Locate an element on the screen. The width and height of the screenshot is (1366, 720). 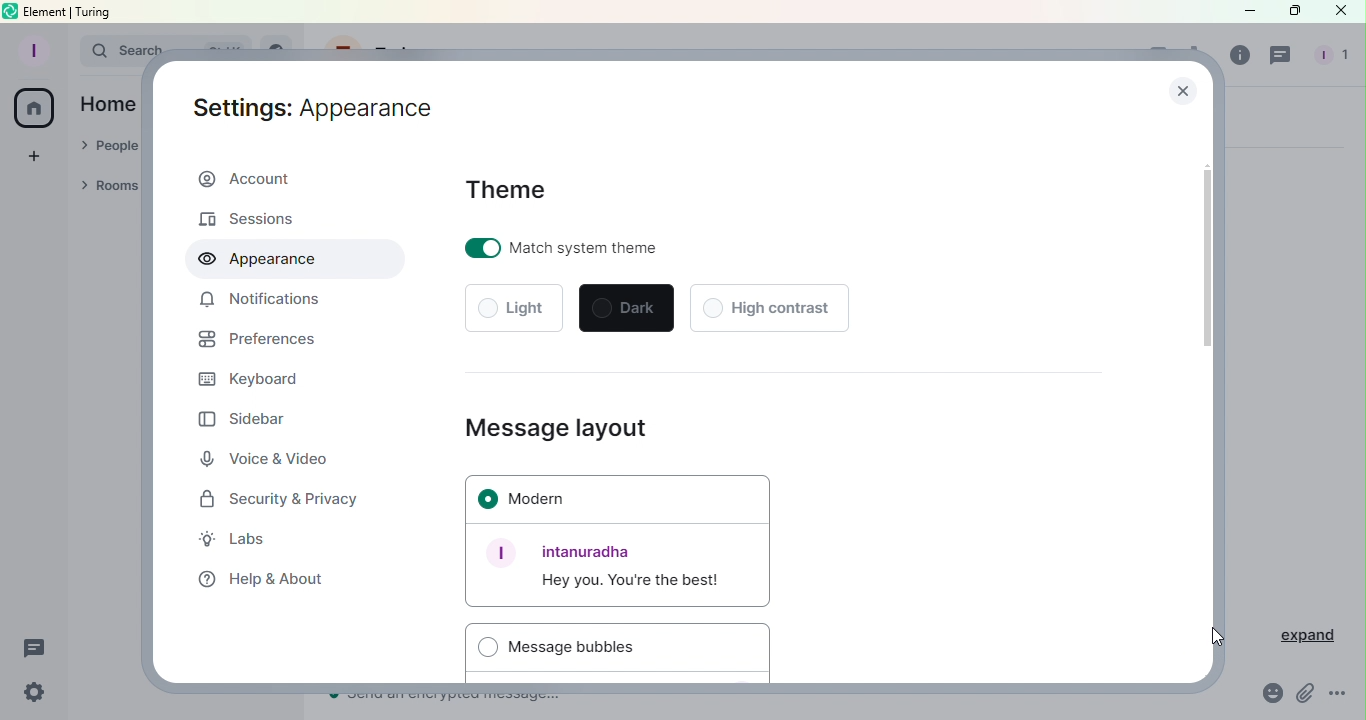
Help and about is located at coordinates (255, 577).